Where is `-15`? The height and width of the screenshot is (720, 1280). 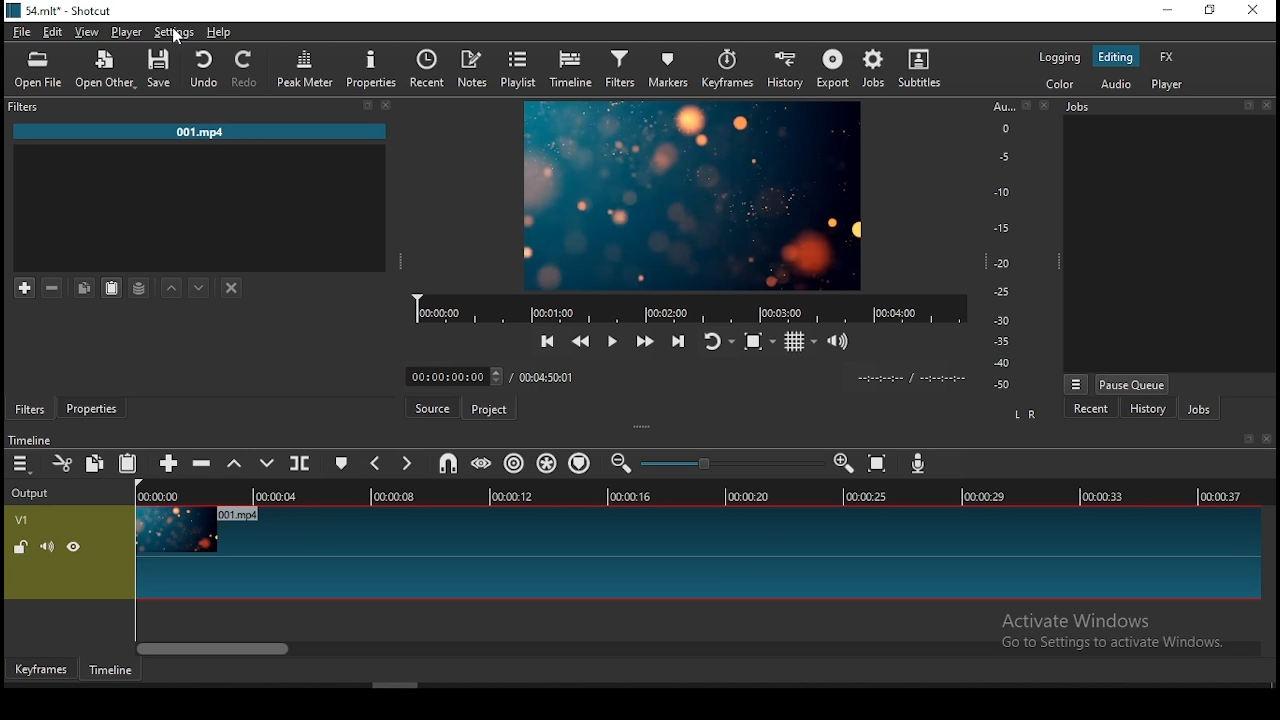 -15 is located at coordinates (1000, 227).